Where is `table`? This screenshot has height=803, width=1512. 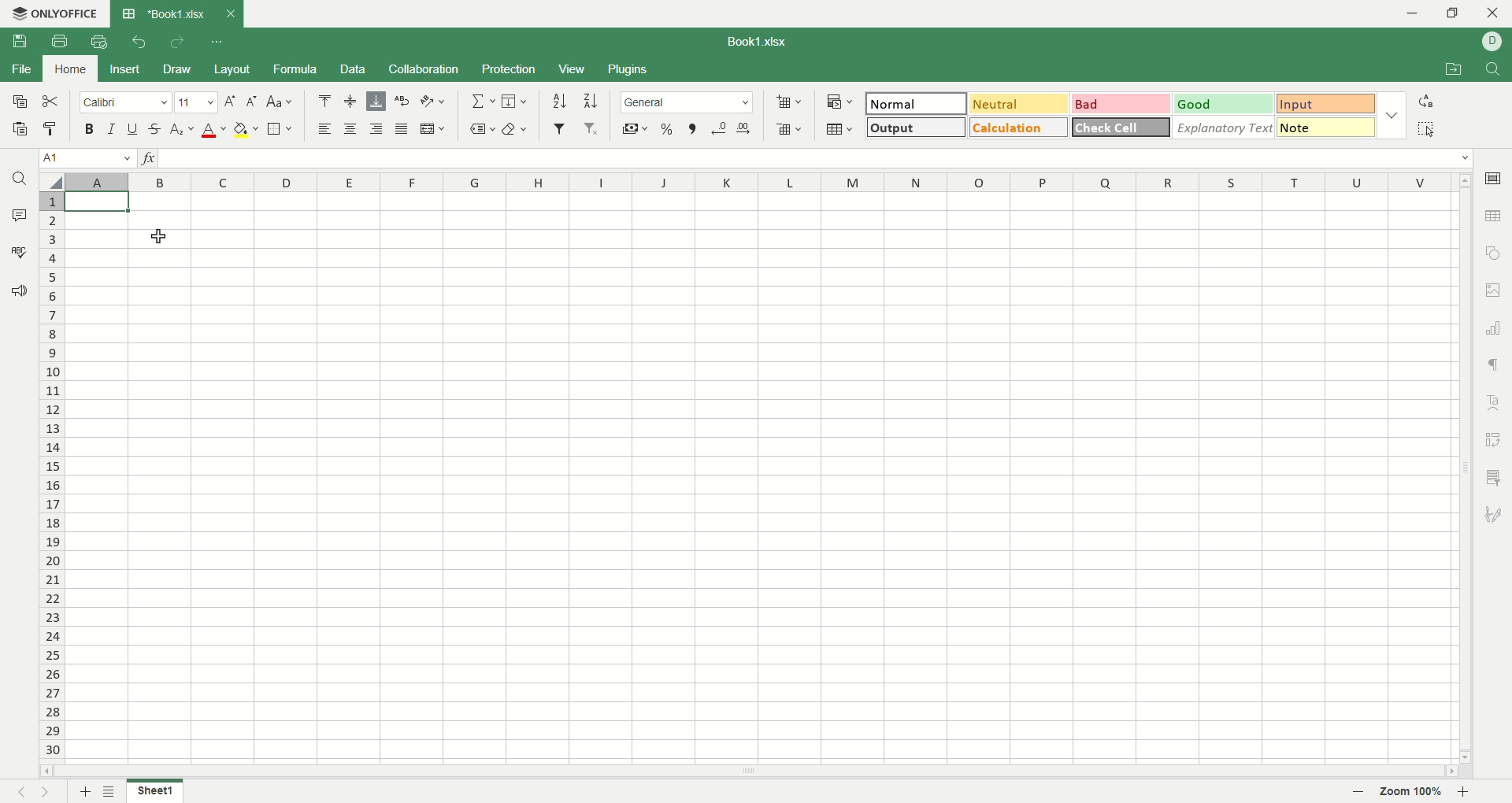 table is located at coordinates (840, 131).